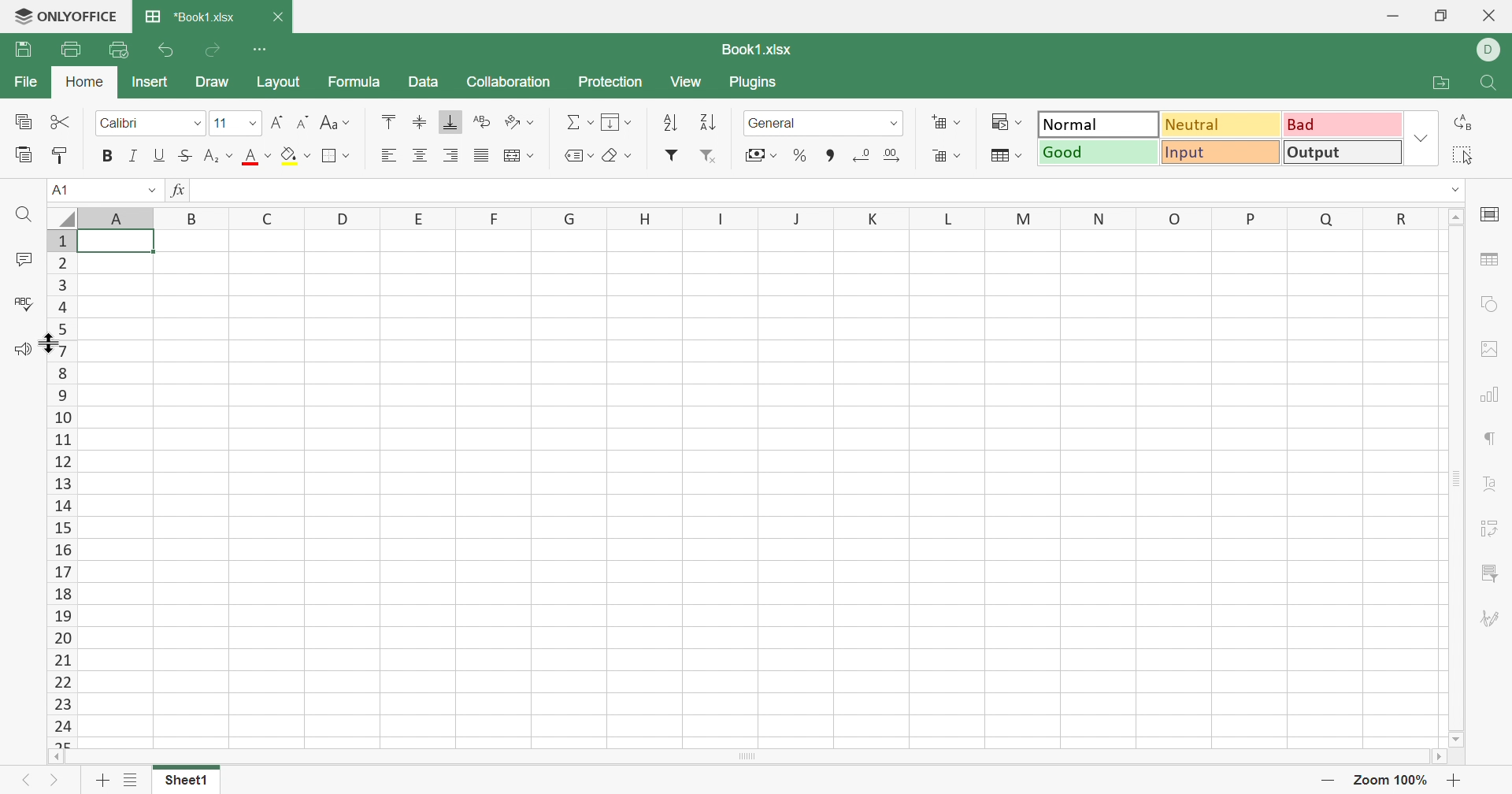 The width and height of the screenshot is (1512, 794). What do you see at coordinates (674, 155) in the screenshot?
I see `Insert filter` at bounding box center [674, 155].